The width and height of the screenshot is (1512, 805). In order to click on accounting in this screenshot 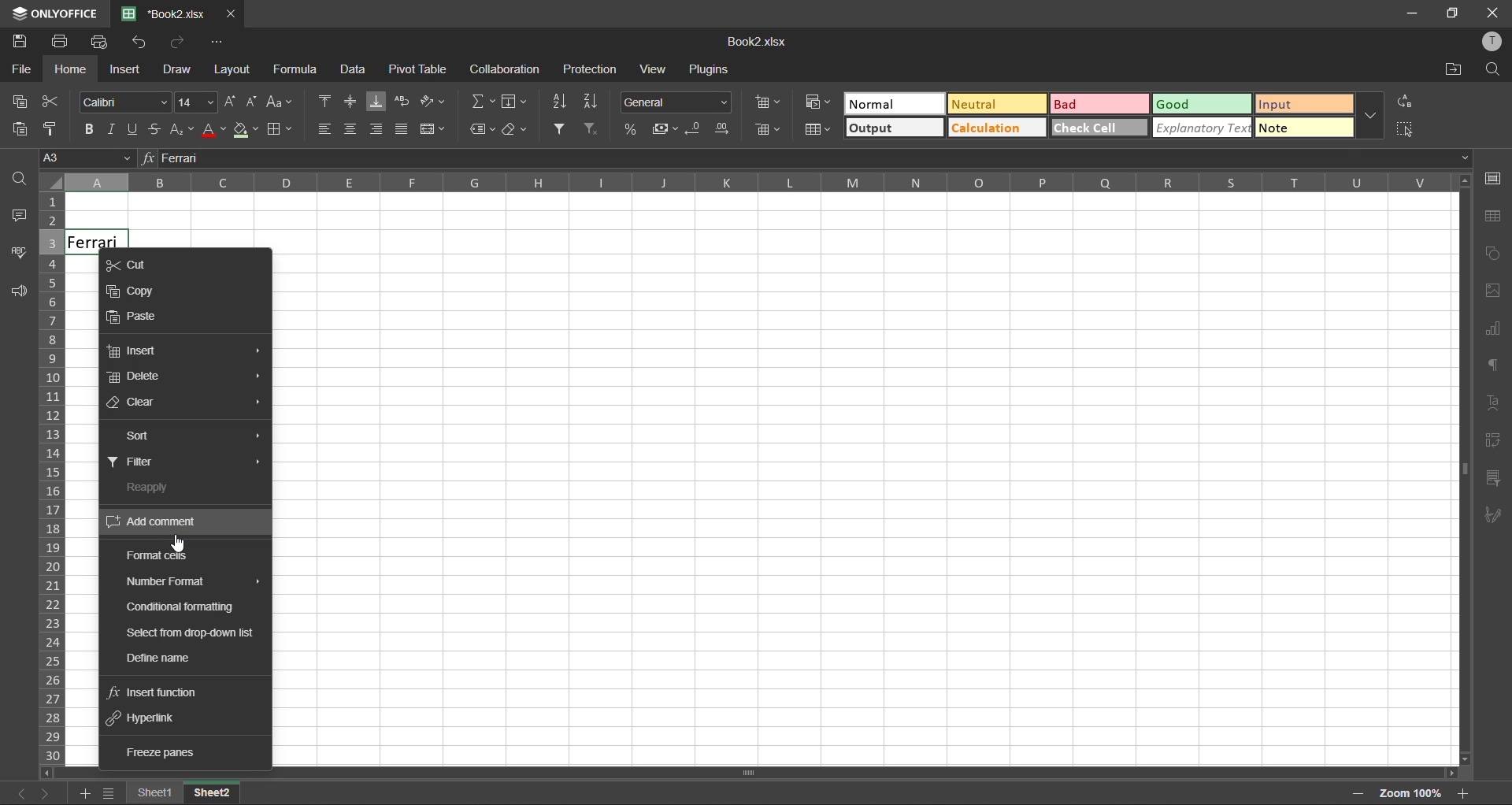, I will do `click(661, 127)`.